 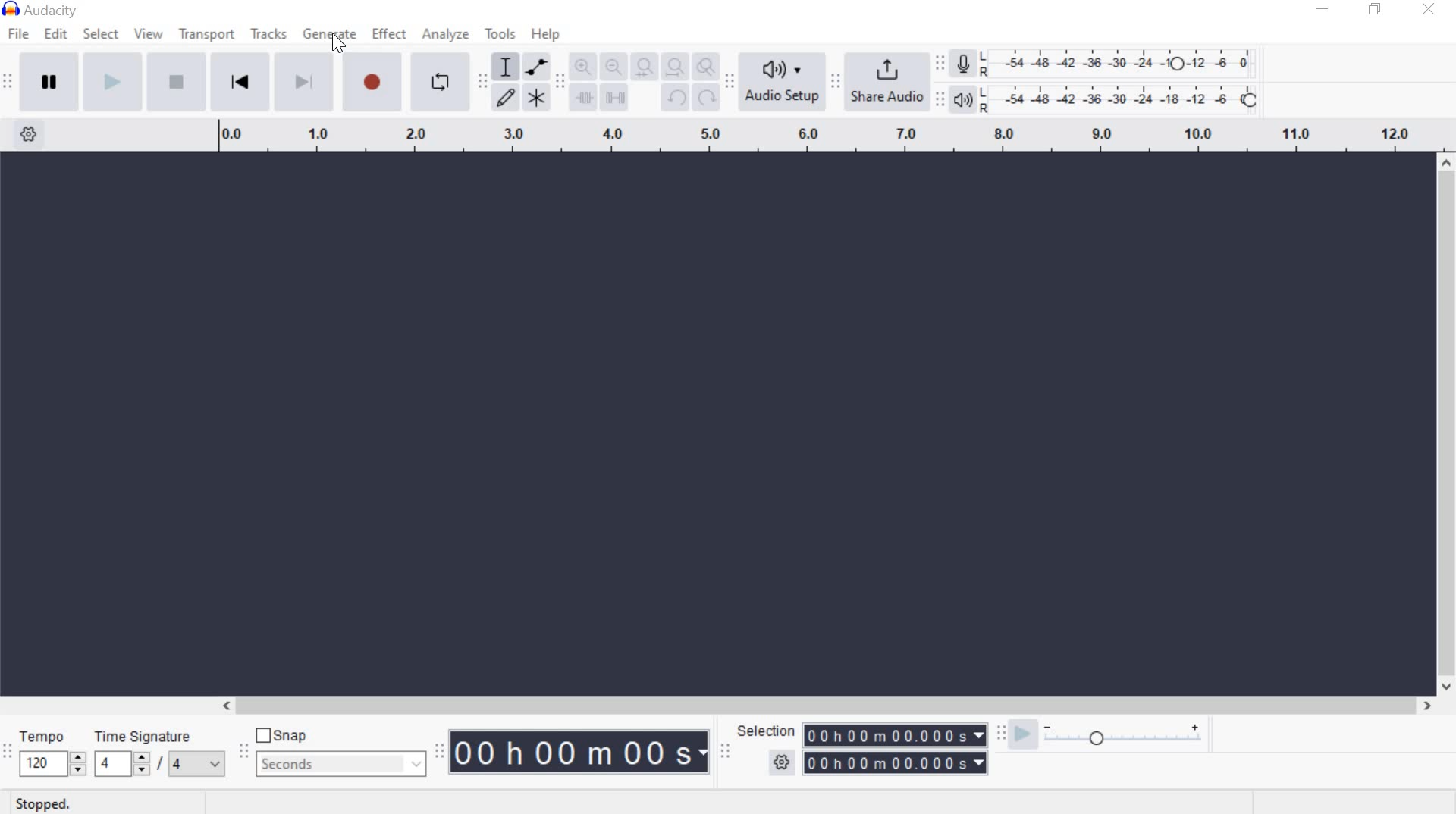 What do you see at coordinates (110, 81) in the screenshot?
I see `Play` at bounding box center [110, 81].